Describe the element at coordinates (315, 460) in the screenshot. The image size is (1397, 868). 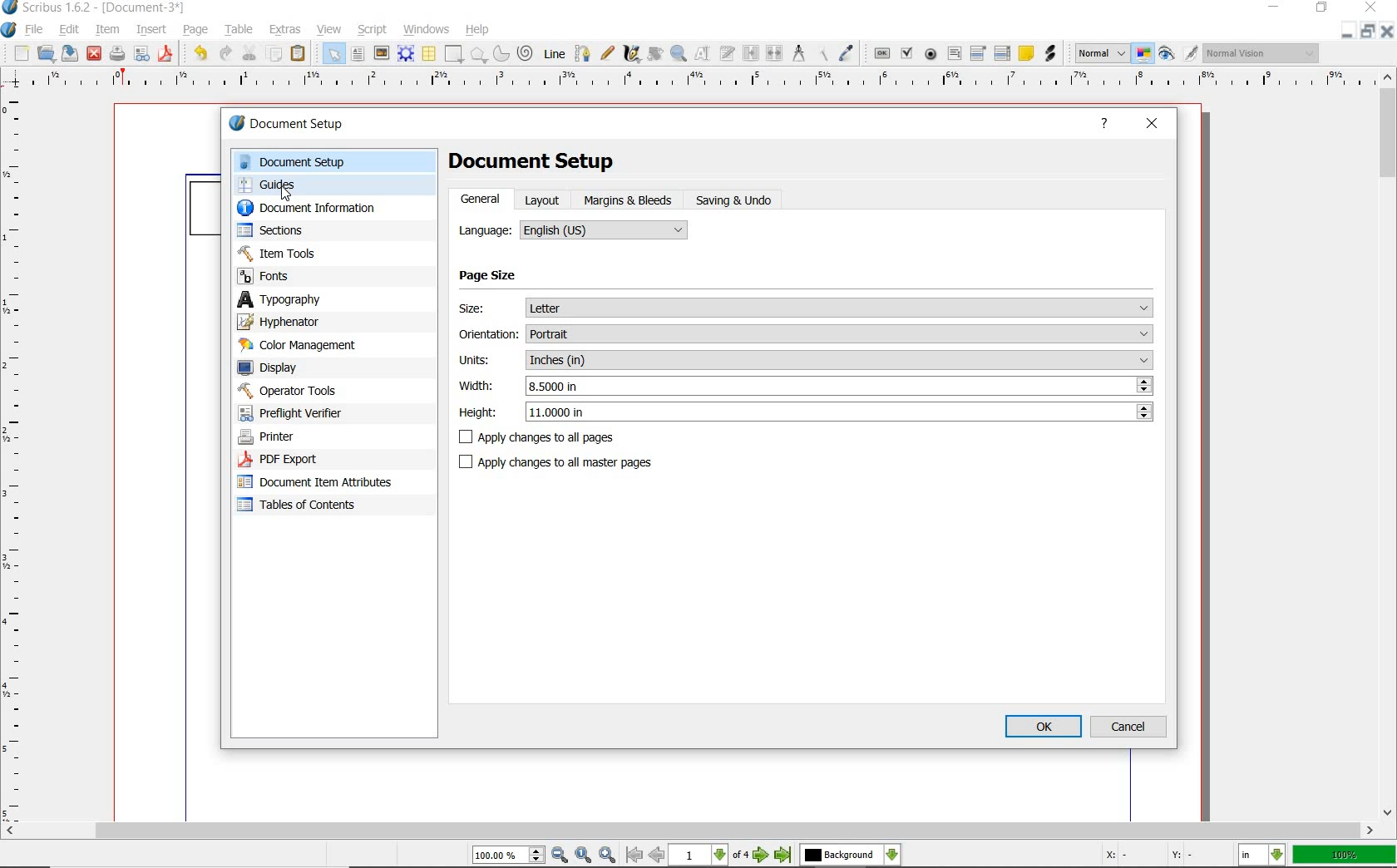
I see `pdf-export` at that location.